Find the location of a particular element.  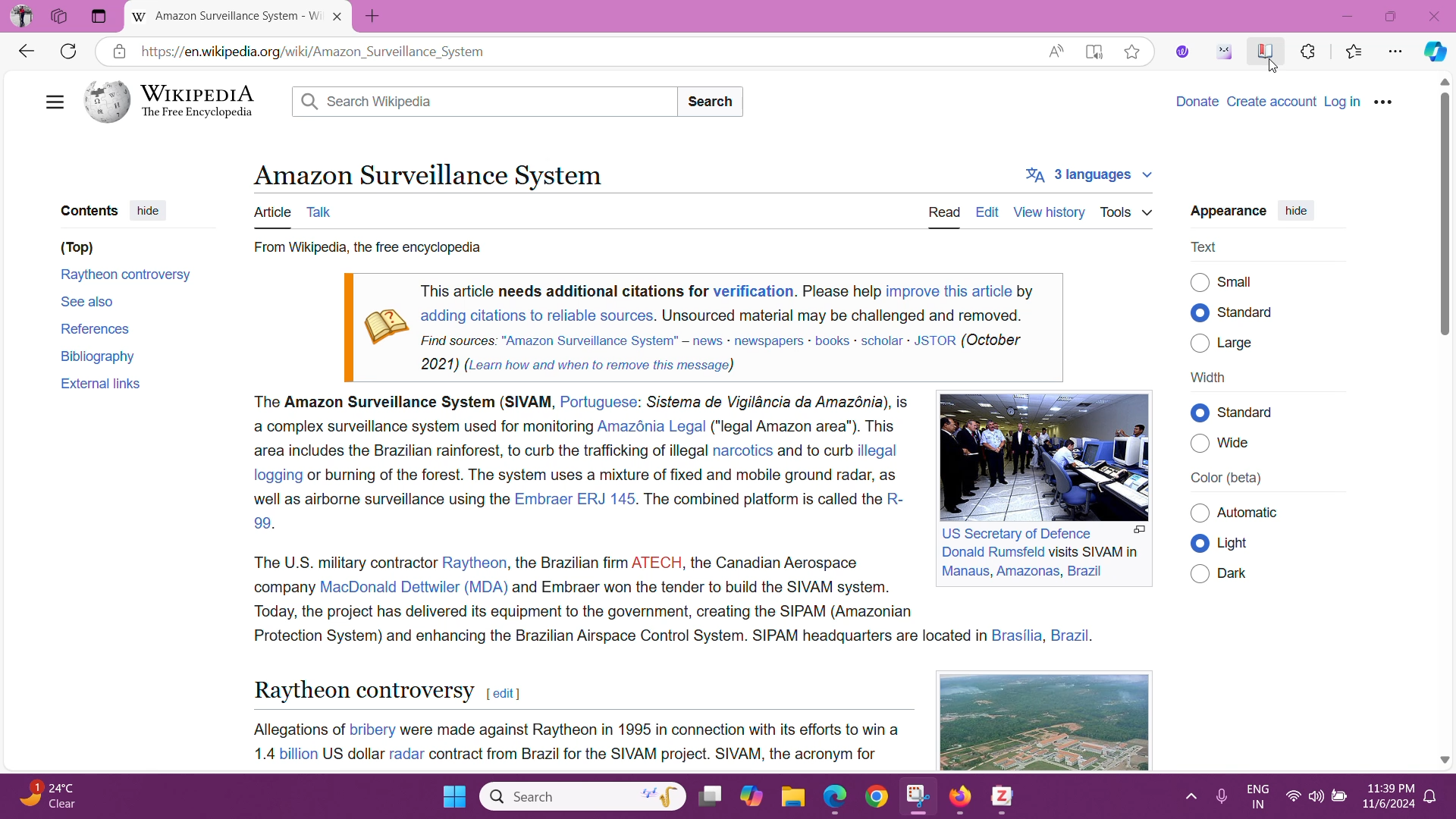

= Em 1
~ ' 1 ©) Wide is located at coordinates (1241, 447).